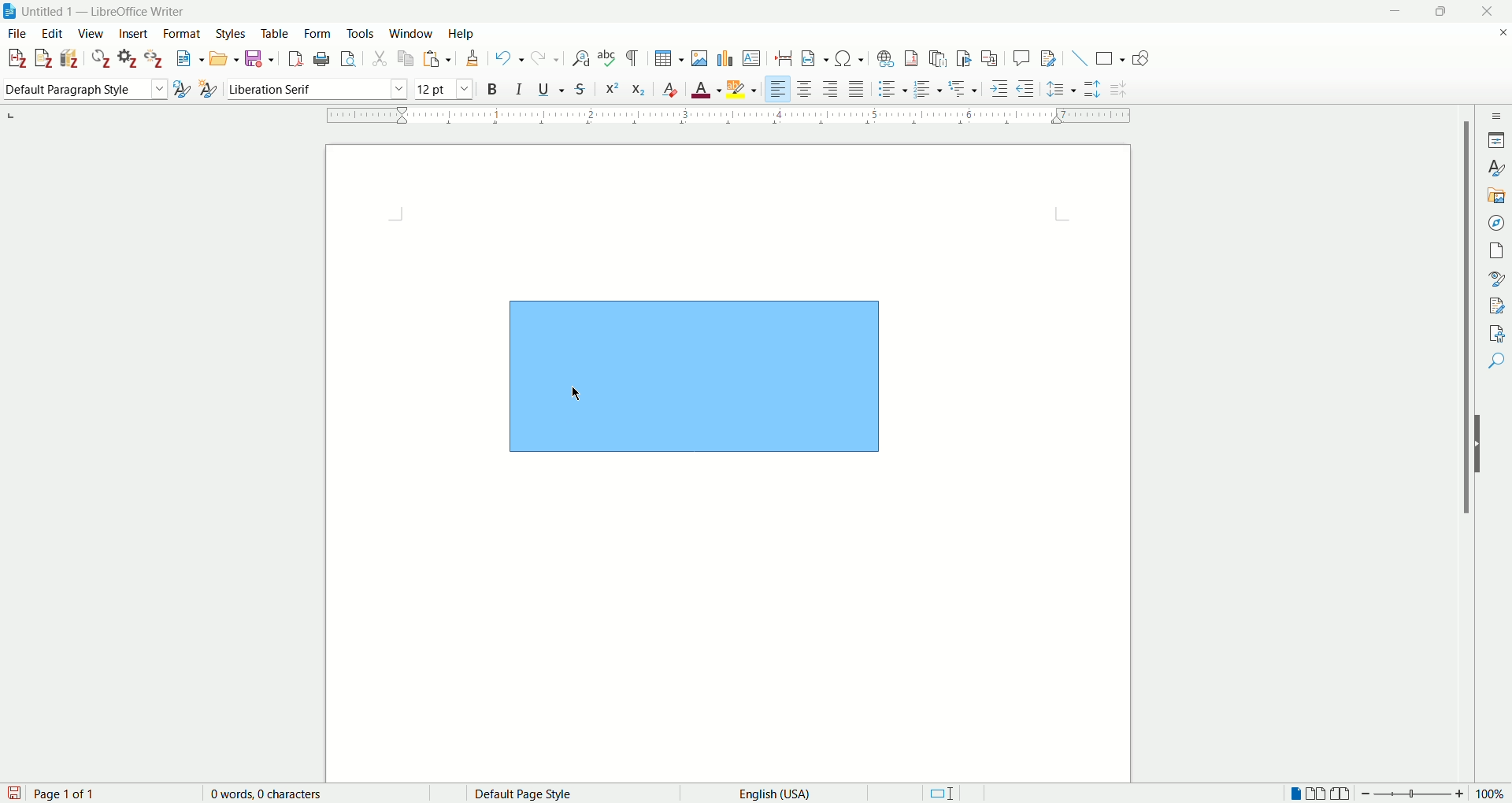 The height and width of the screenshot is (803, 1512). What do you see at coordinates (942, 792) in the screenshot?
I see `standard selection` at bounding box center [942, 792].